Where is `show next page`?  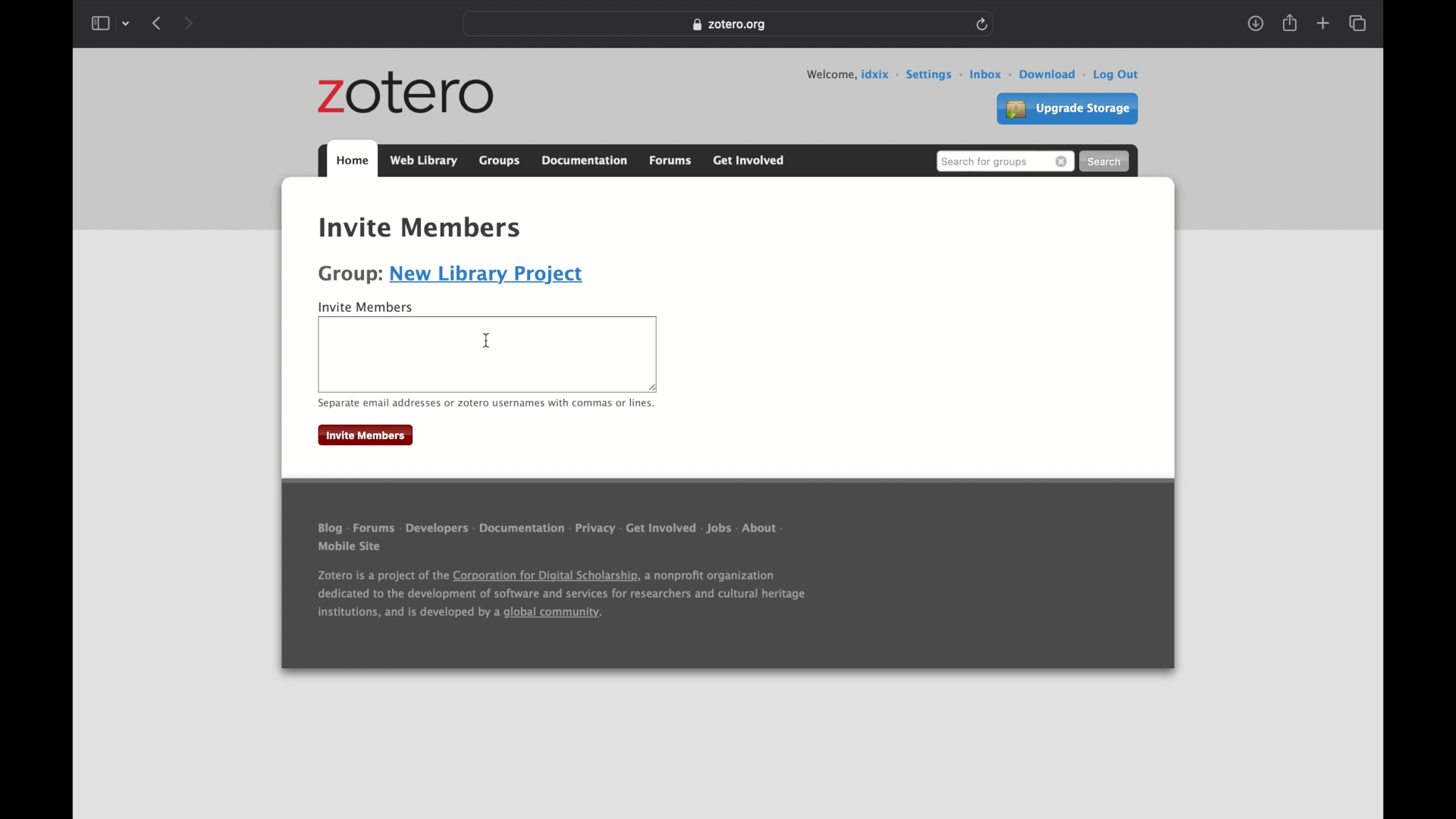
show next page is located at coordinates (188, 23).